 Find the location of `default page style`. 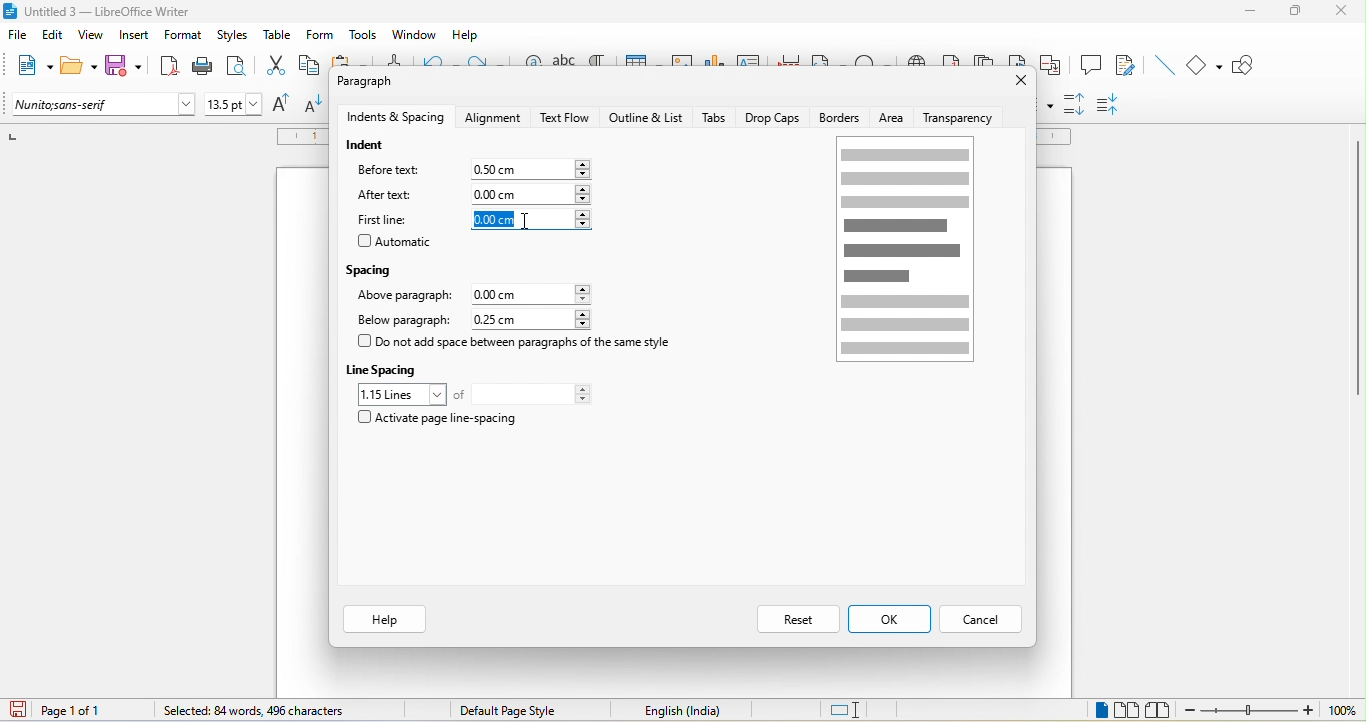

default page style is located at coordinates (511, 711).